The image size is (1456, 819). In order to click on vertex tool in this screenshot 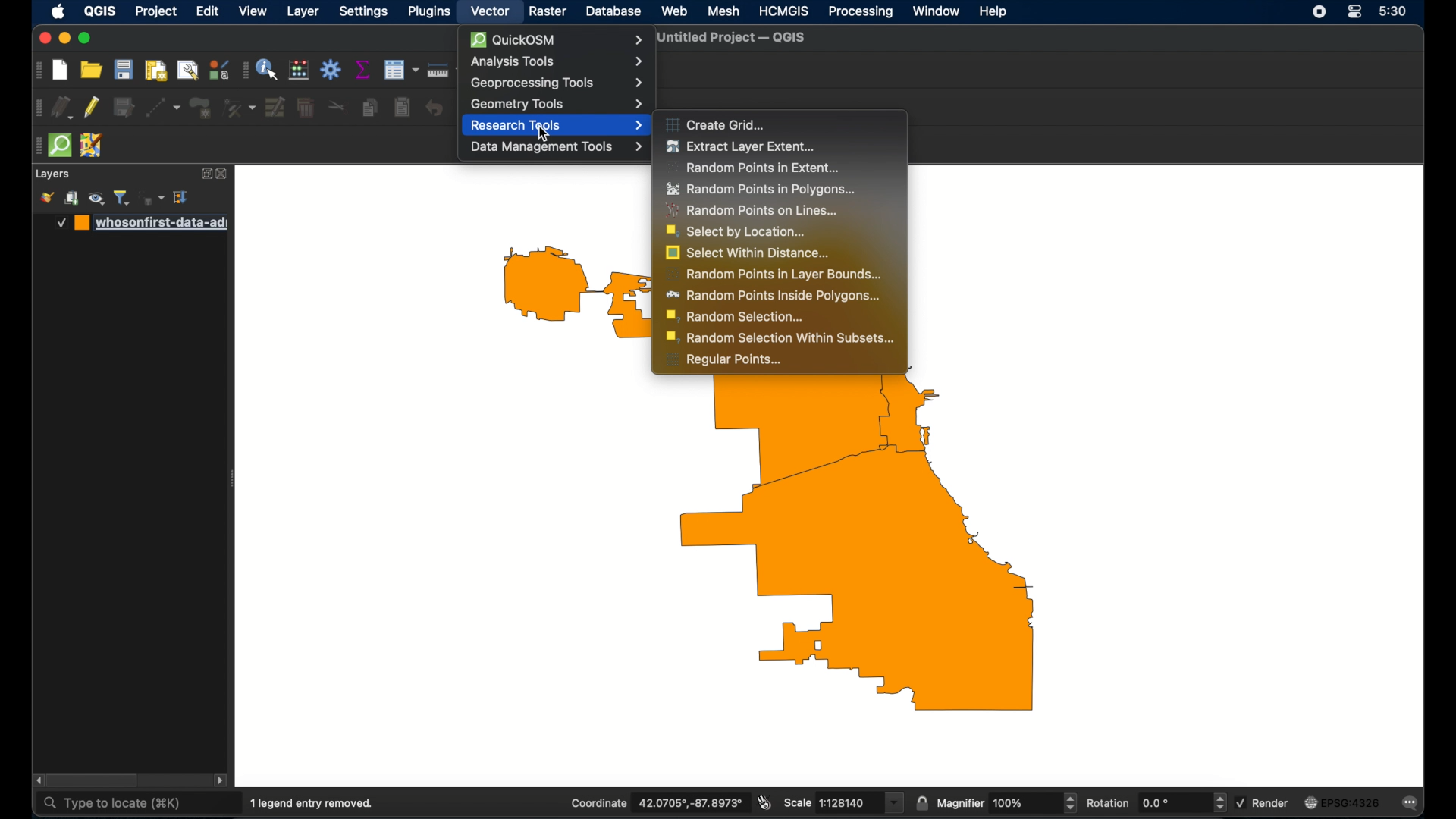, I will do `click(239, 106)`.